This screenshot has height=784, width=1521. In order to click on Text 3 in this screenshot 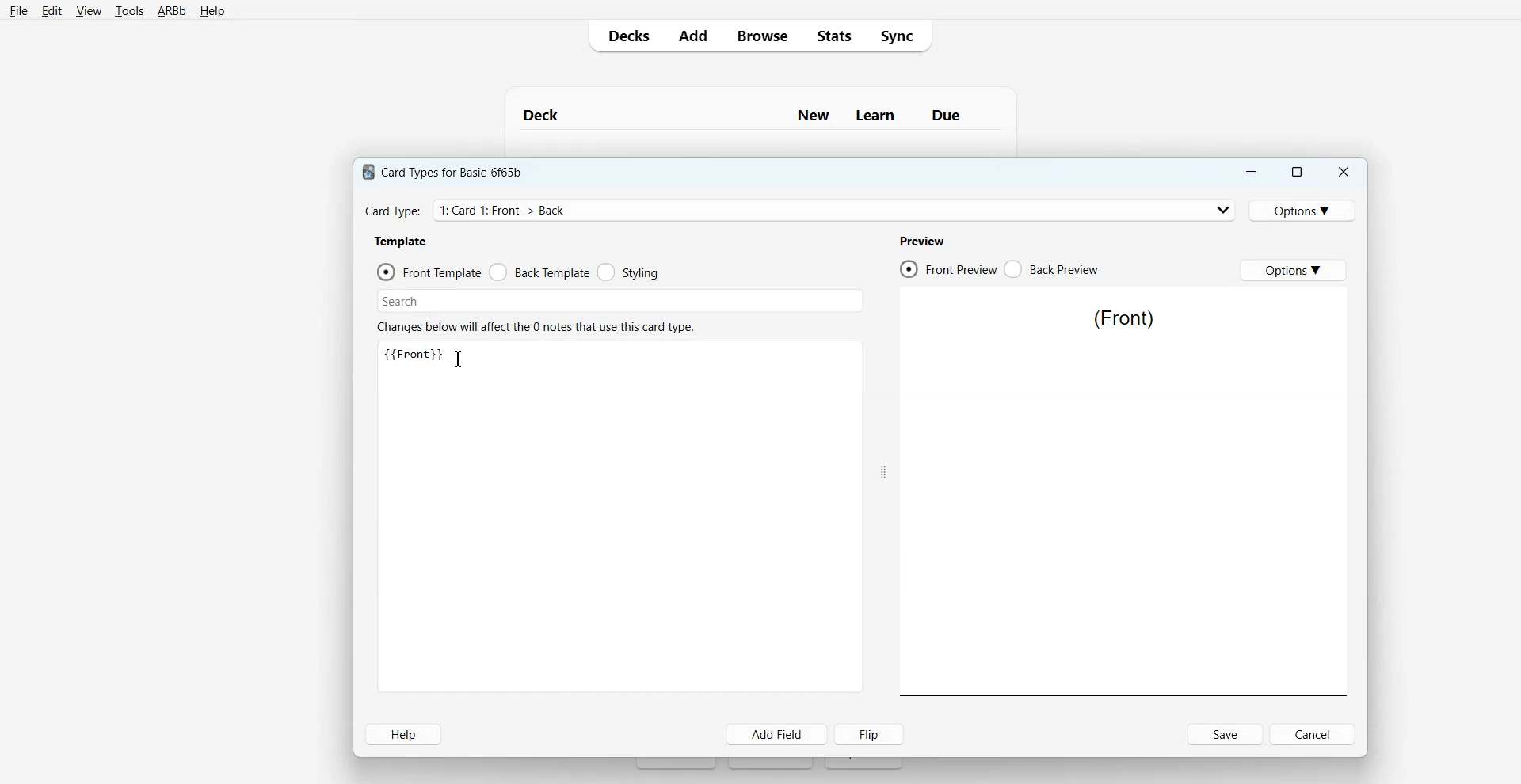, I will do `click(537, 326)`.